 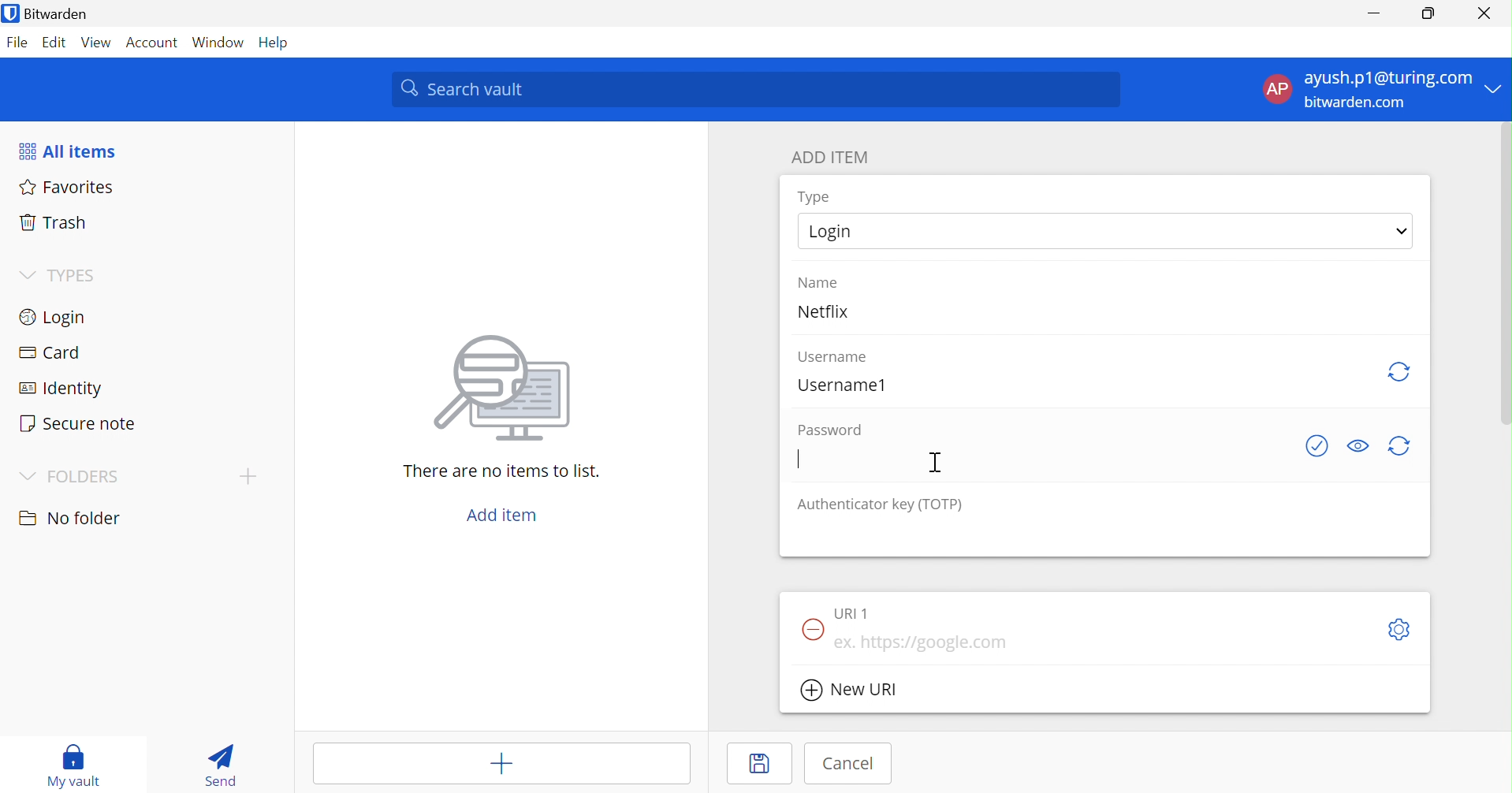 What do you see at coordinates (498, 471) in the screenshot?
I see `There are no items to list.` at bounding box center [498, 471].